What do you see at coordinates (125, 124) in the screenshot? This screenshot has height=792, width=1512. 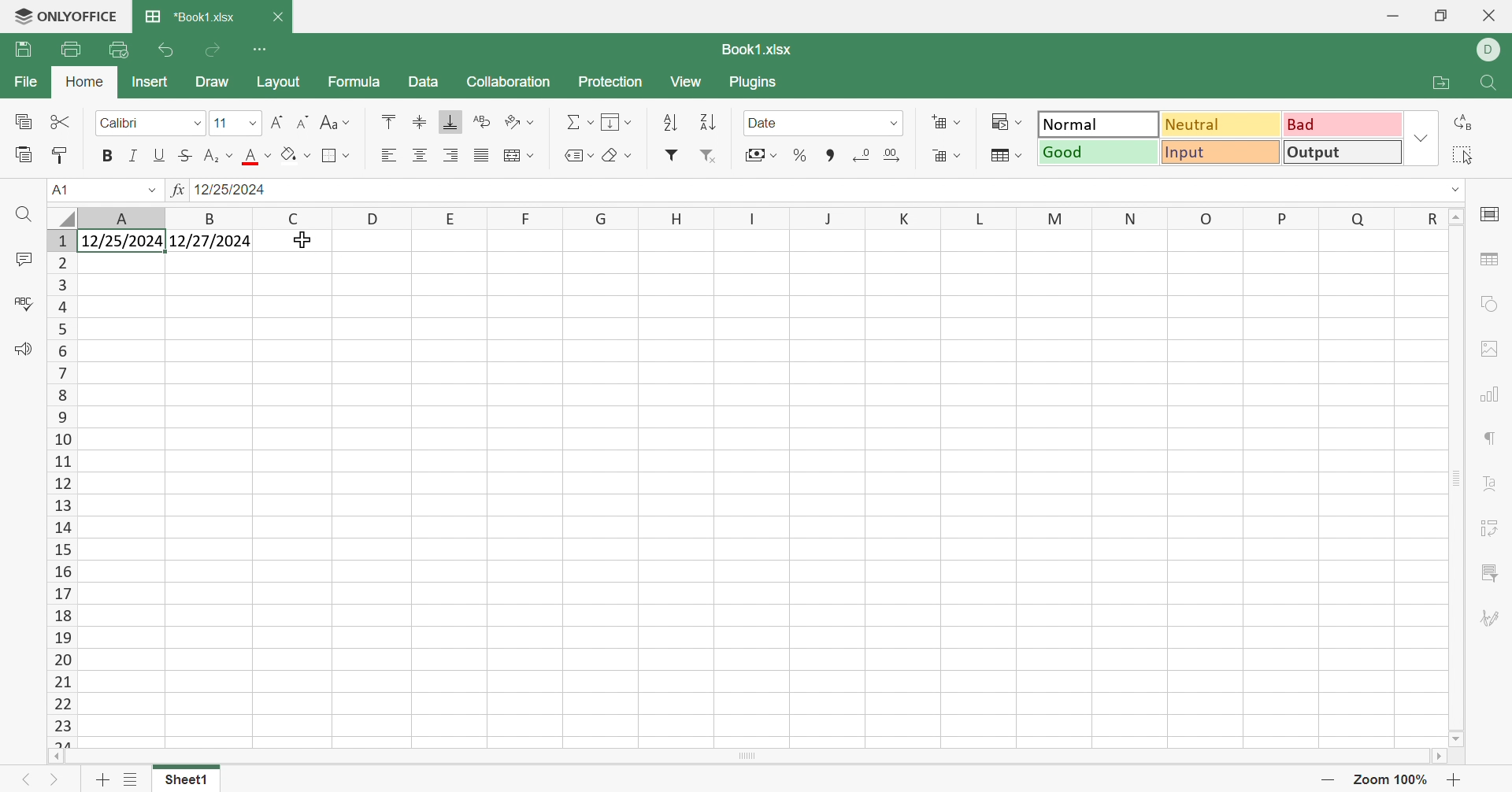 I see `Calibri` at bounding box center [125, 124].